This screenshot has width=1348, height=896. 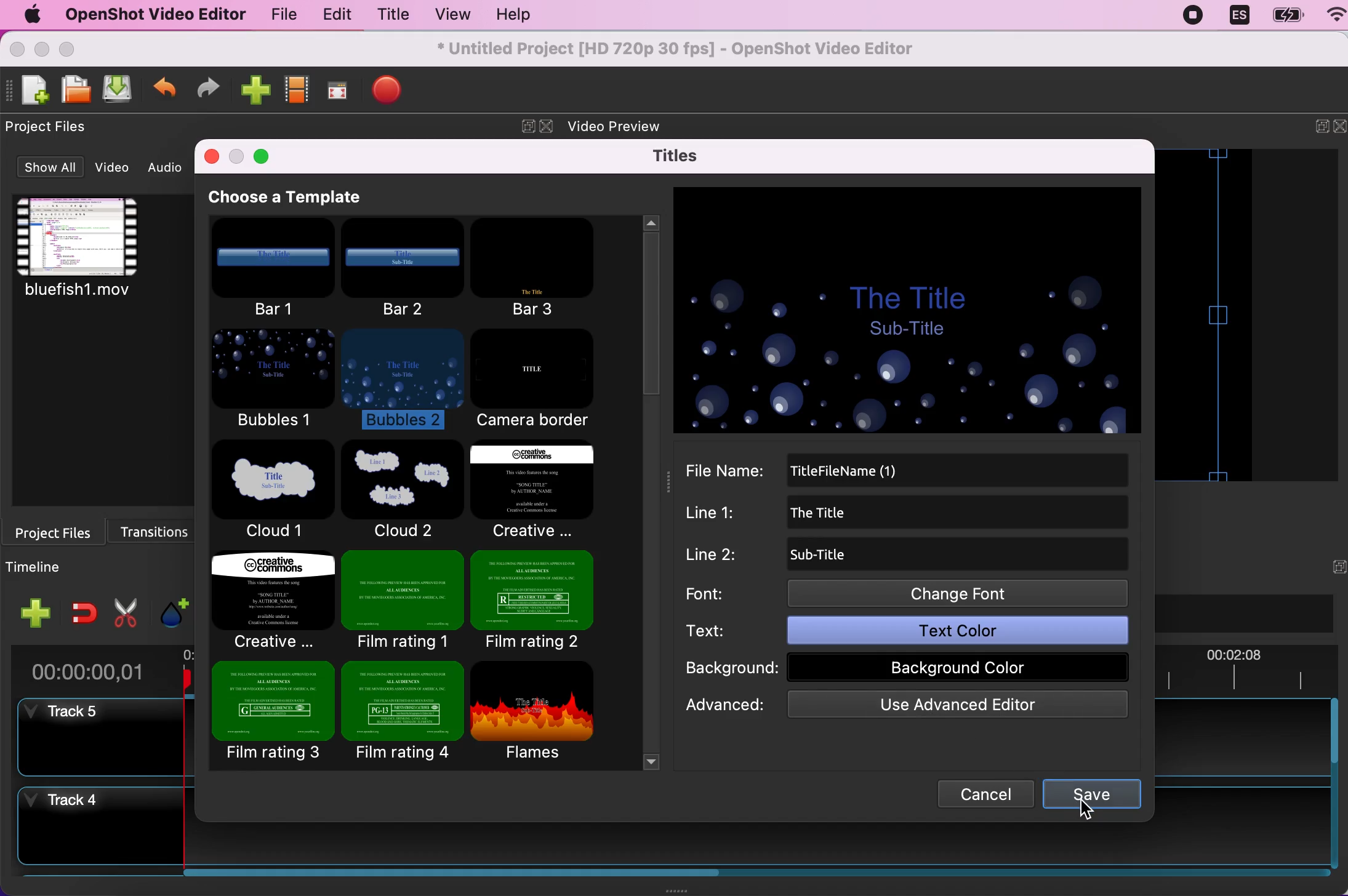 What do you see at coordinates (403, 713) in the screenshot?
I see `film rating 4` at bounding box center [403, 713].